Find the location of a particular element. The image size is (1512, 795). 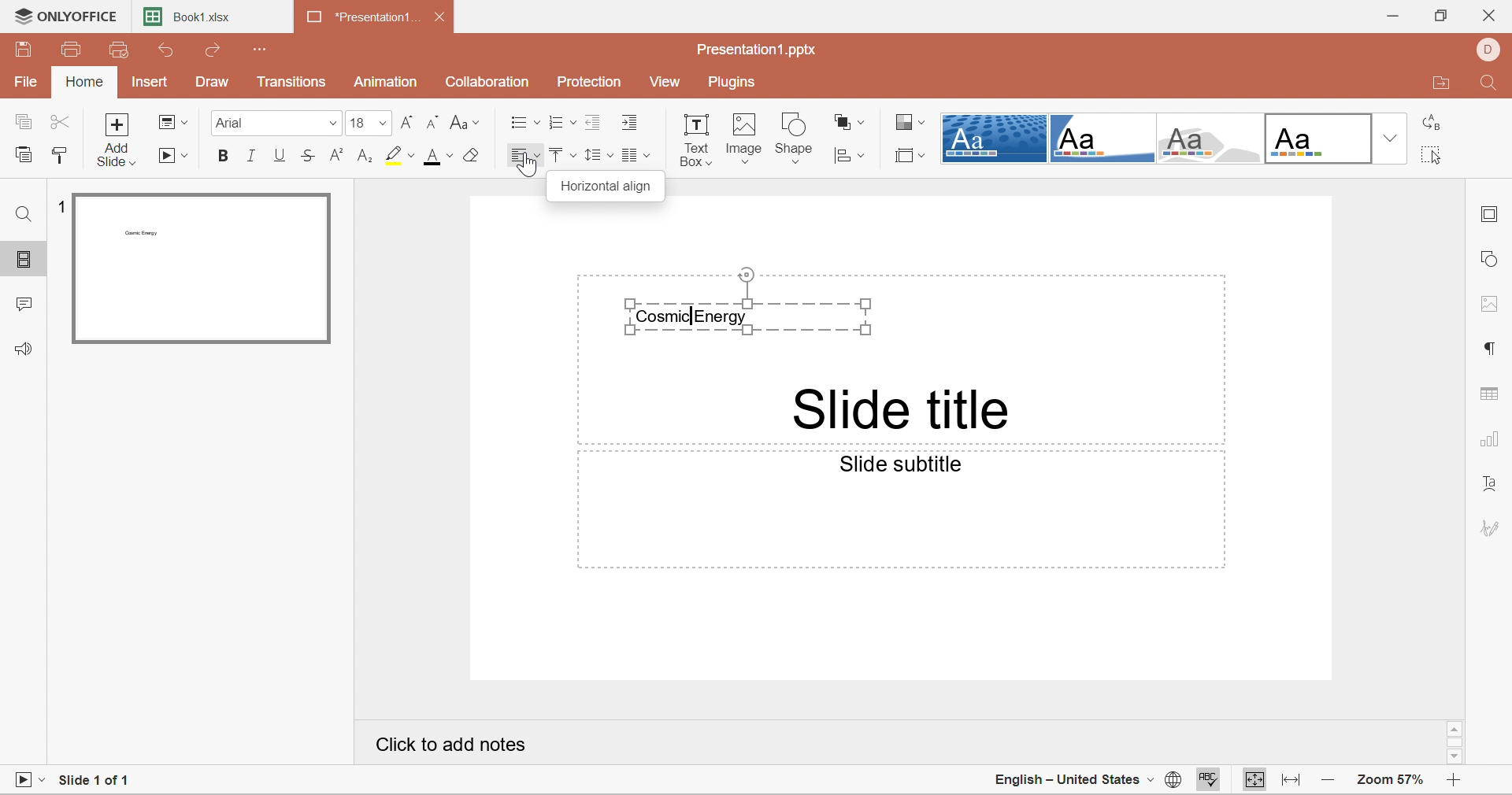

Cursor is located at coordinates (530, 166).